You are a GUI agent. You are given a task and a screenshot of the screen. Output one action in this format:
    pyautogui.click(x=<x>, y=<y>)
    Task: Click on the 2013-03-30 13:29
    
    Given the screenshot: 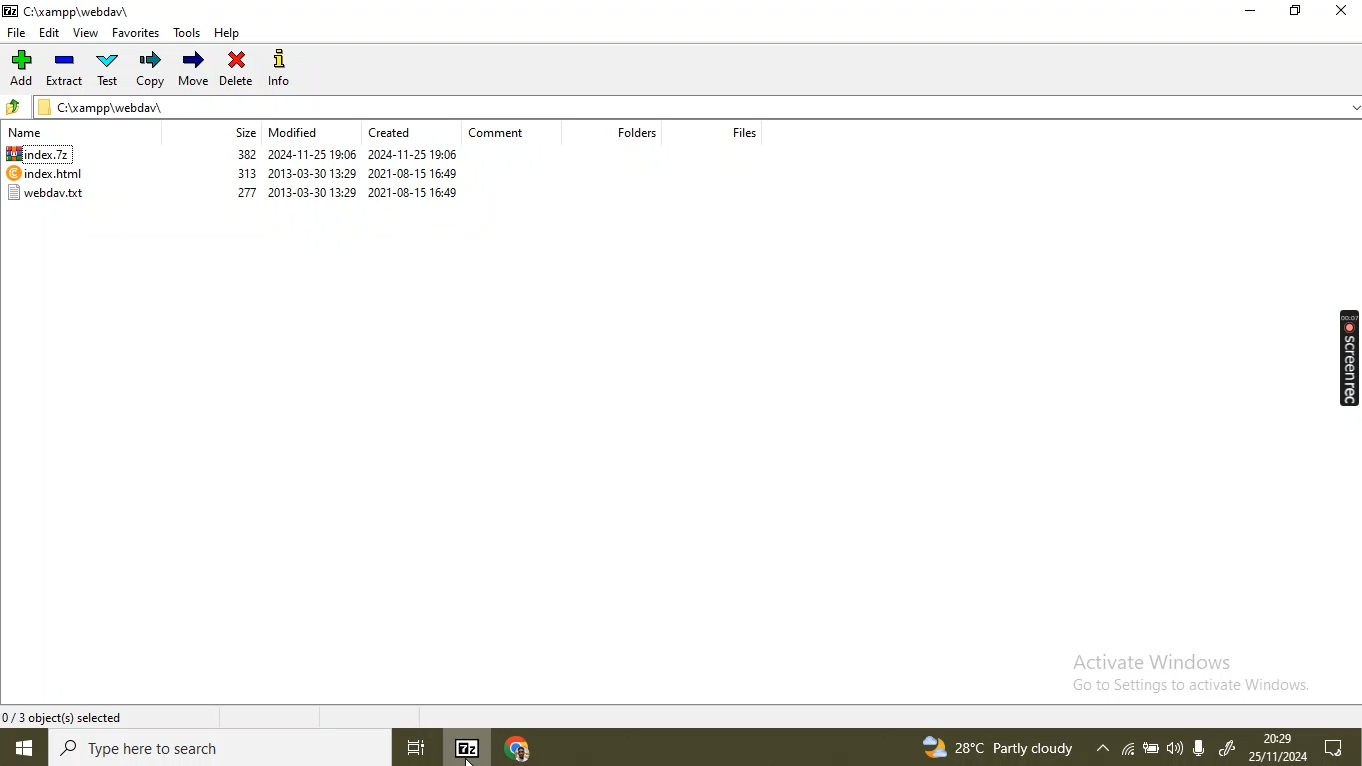 What is the action you would take?
    pyautogui.click(x=311, y=171)
    